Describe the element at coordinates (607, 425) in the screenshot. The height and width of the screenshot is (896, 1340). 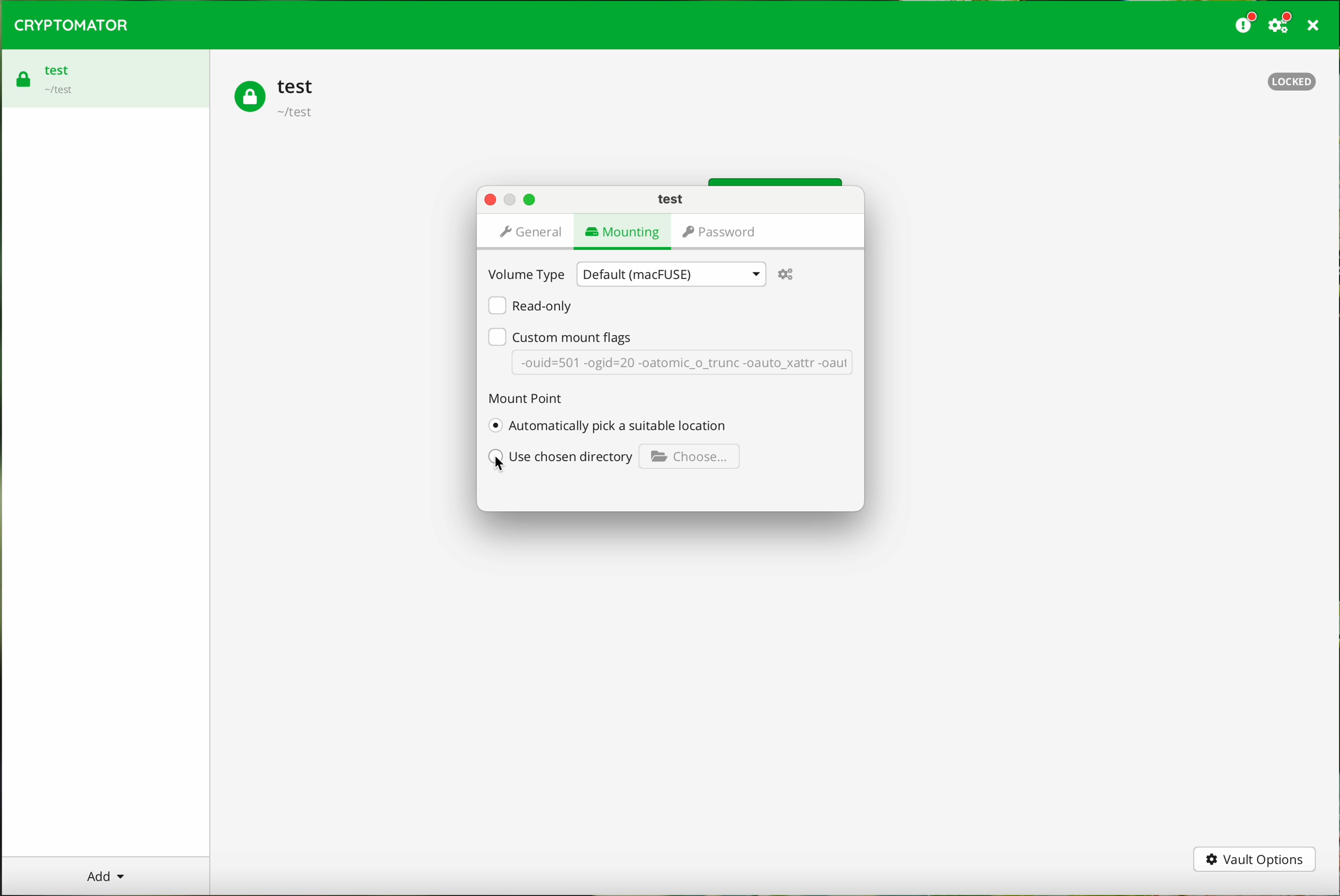
I see `automatically pick a suitable location` at that location.